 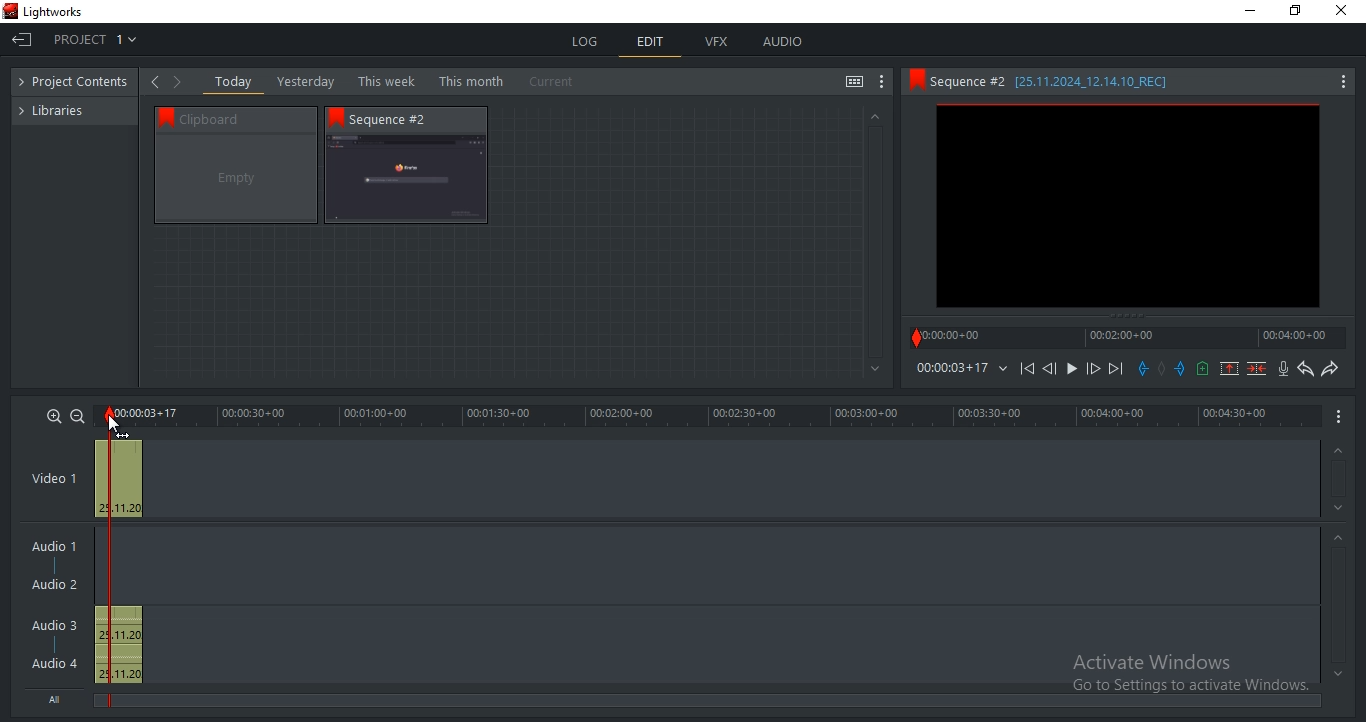 I want to click on Pointer cursor, so click(x=107, y=424).